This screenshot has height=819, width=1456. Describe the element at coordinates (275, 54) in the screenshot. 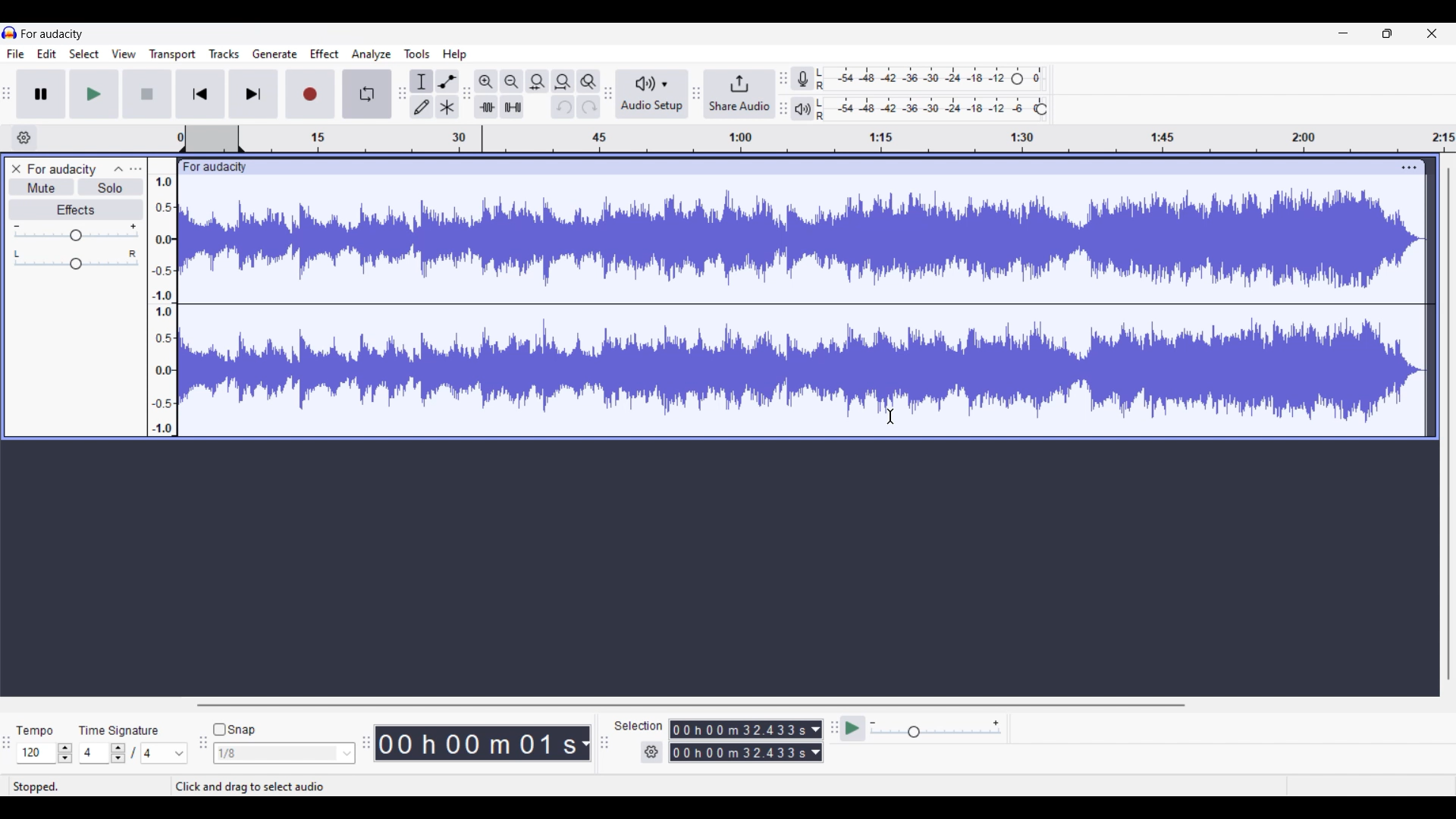

I see `Generate menu` at that location.